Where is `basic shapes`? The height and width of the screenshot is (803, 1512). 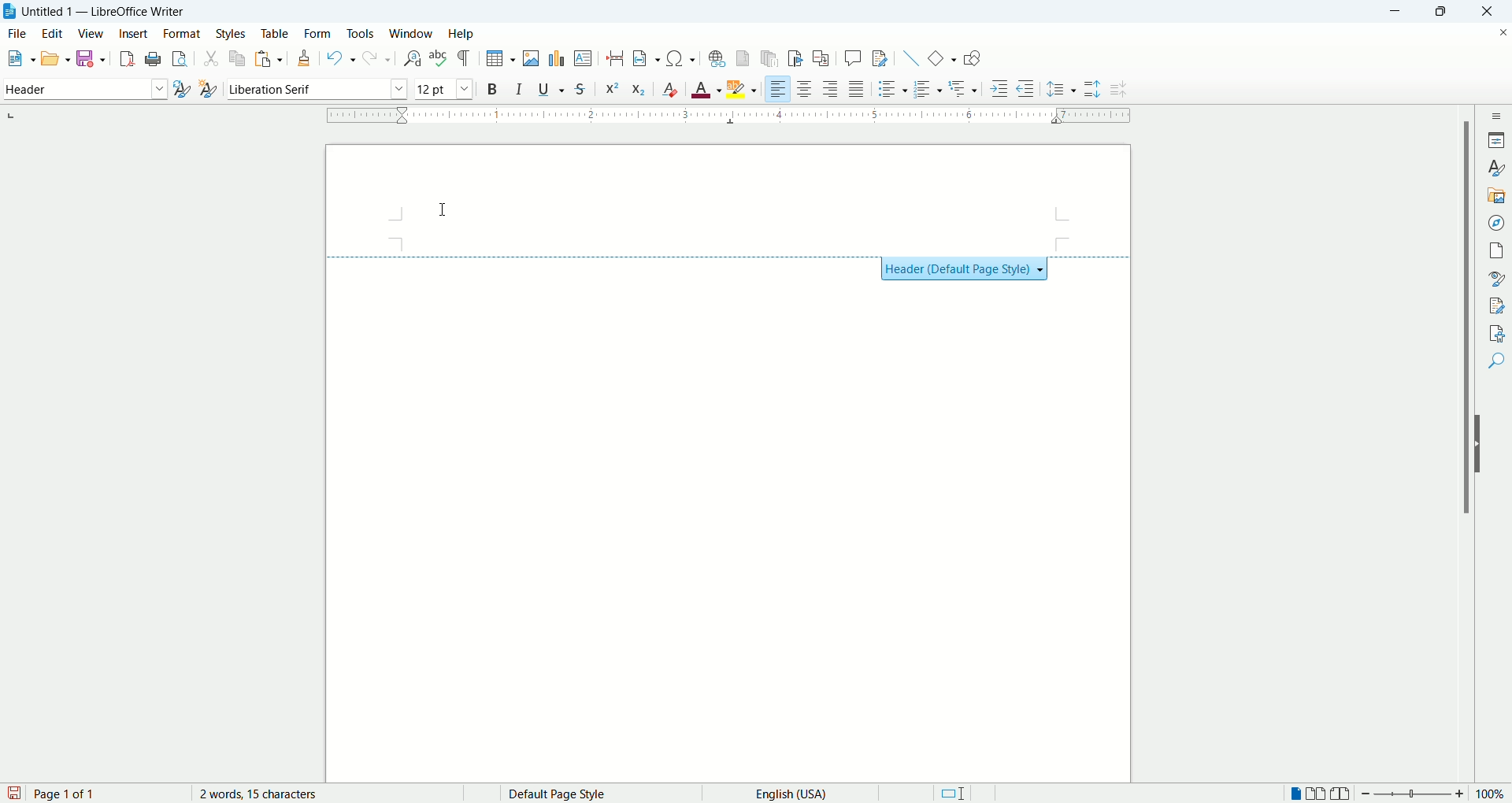
basic shapes is located at coordinates (936, 58).